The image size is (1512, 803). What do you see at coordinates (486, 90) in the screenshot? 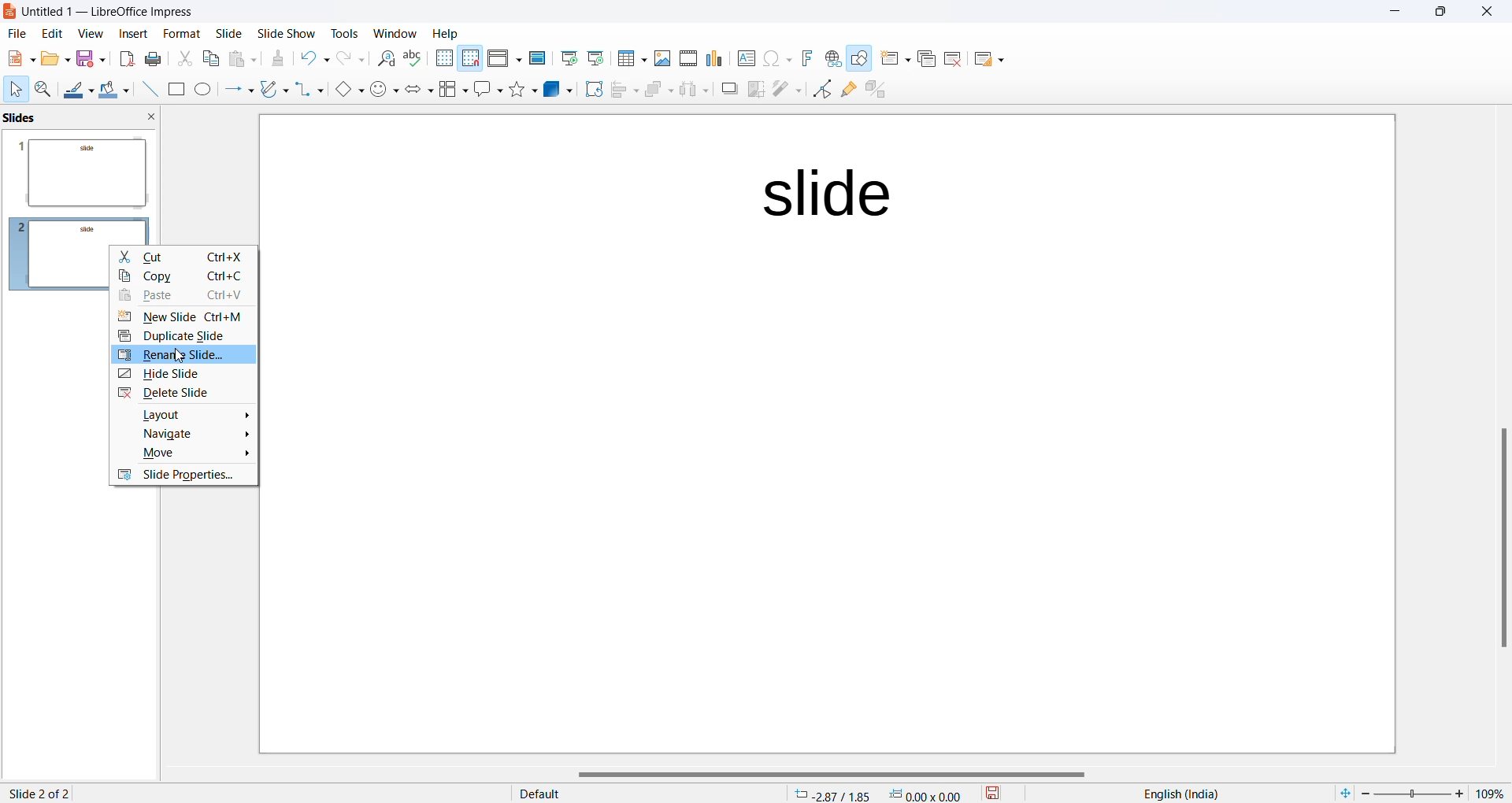
I see `Call out shapes` at bounding box center [486, 90].